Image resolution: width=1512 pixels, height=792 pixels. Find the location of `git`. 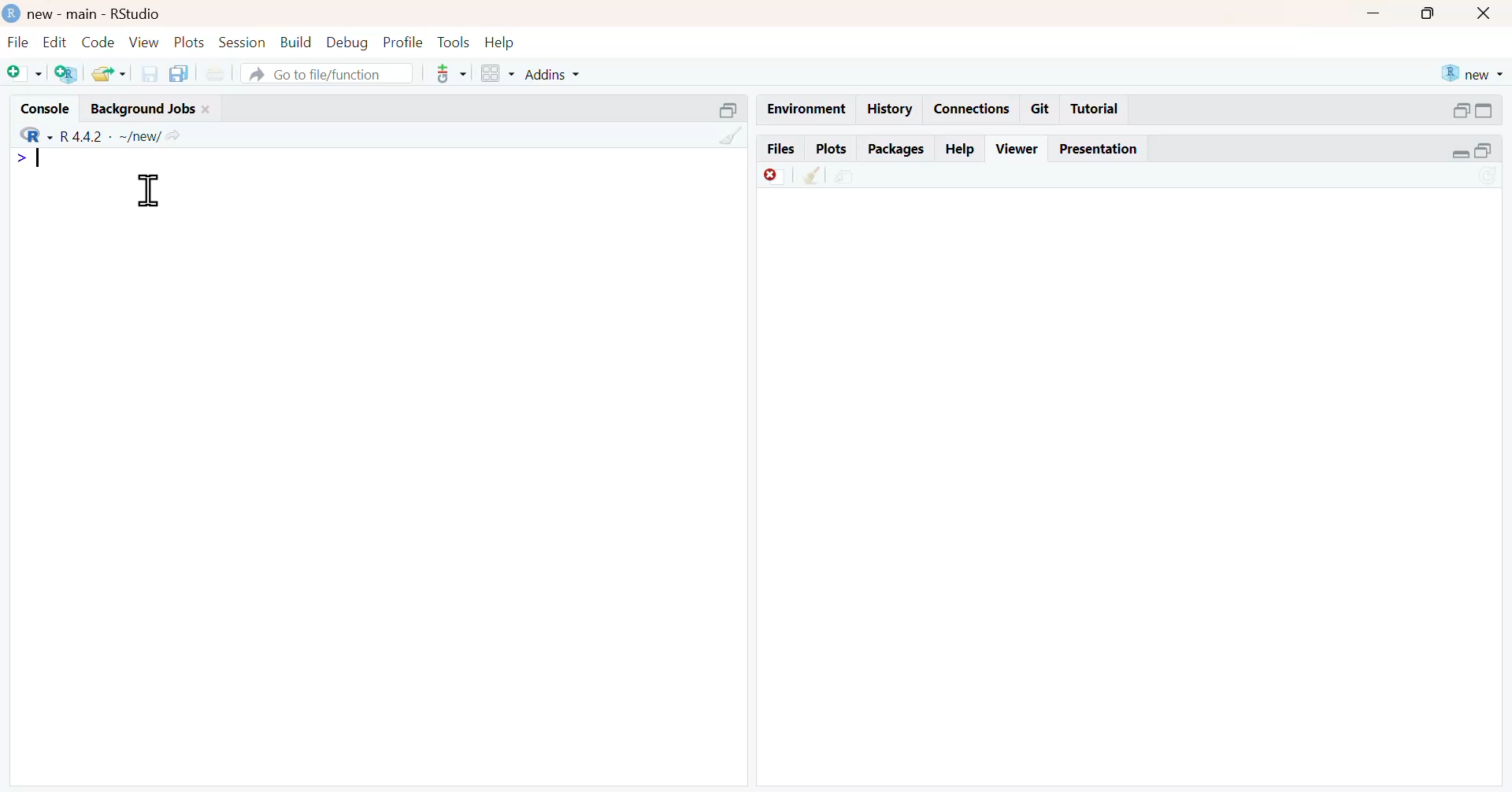

git is located at coordinates (1041, 109).